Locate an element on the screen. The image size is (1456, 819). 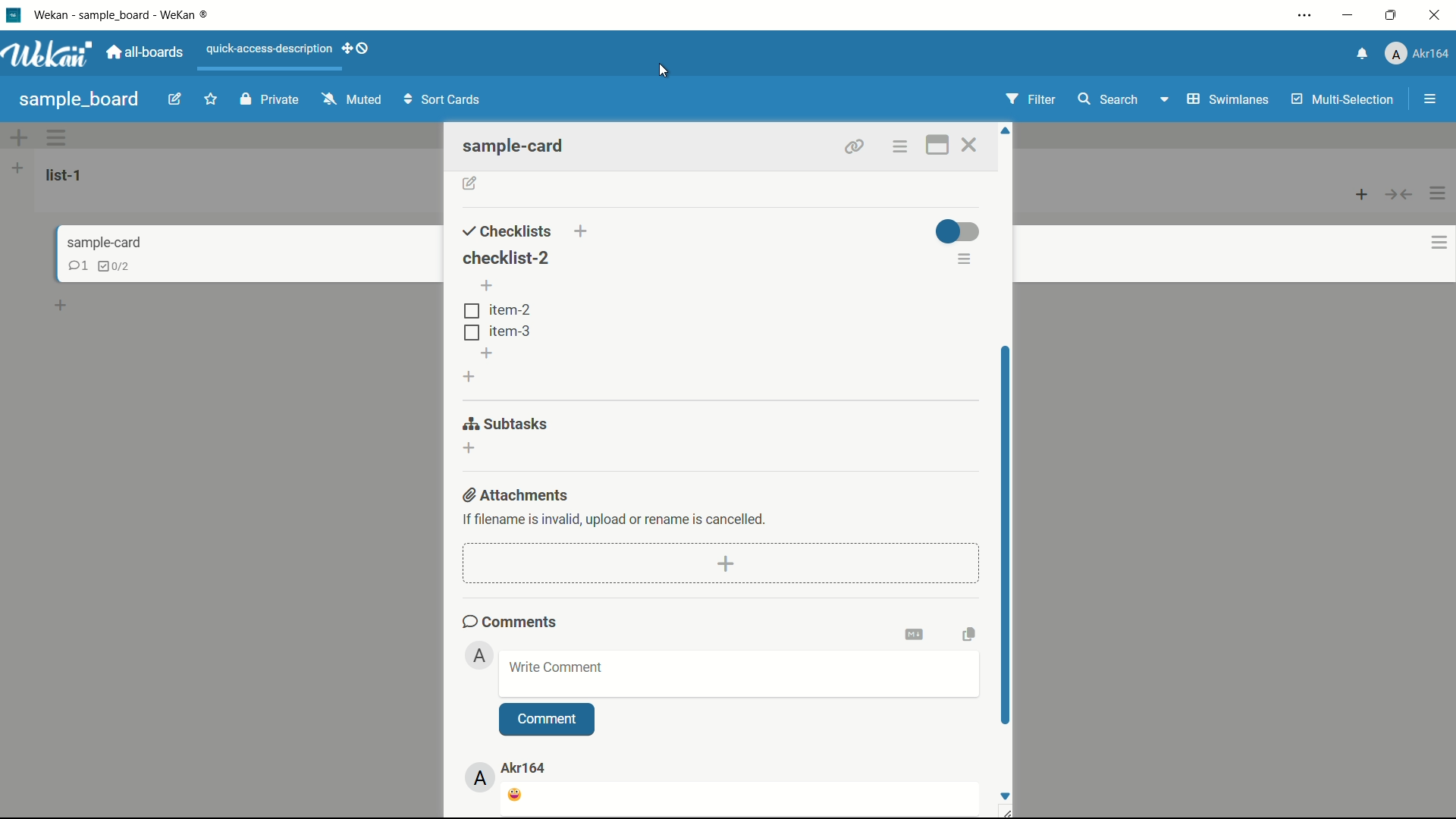
filter is located at coordinates (1032, 99).